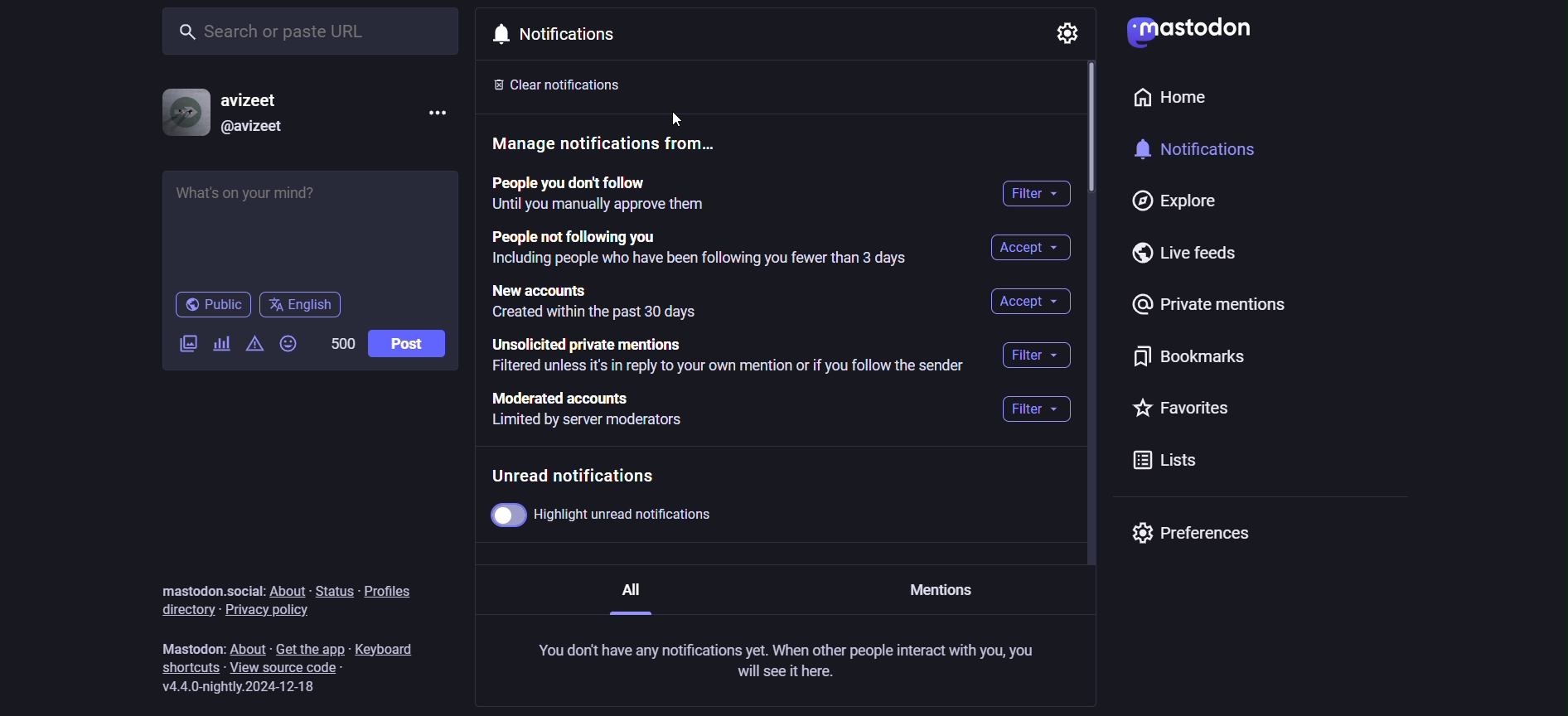  Describe the element at coordinates (309, 647) in the screenshot. I see `get the app` at that location.